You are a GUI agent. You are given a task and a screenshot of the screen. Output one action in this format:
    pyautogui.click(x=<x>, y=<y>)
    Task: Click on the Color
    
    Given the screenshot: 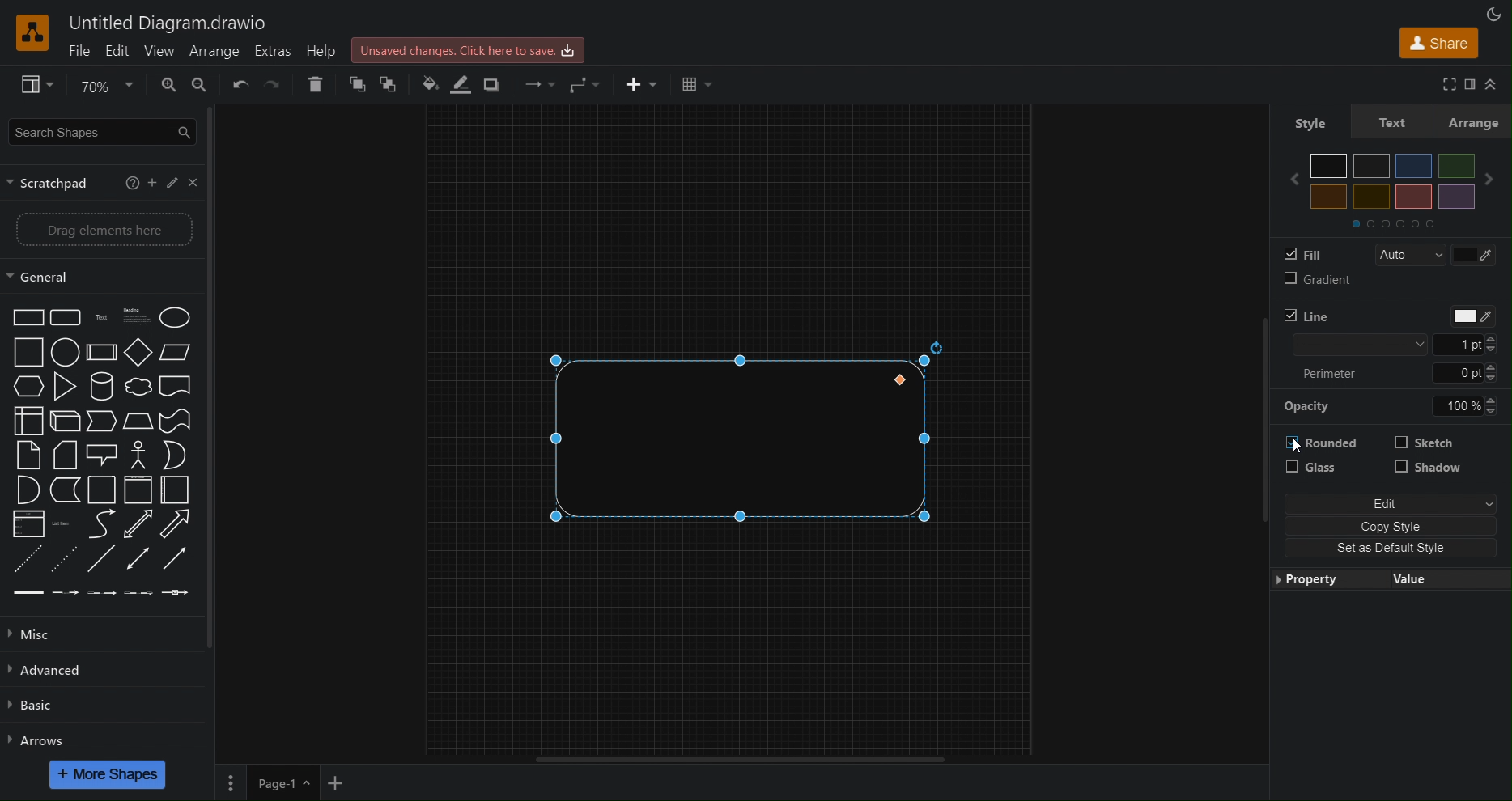 What is the action you would take?
    pyautogui.click(x=1391, y=177)
    